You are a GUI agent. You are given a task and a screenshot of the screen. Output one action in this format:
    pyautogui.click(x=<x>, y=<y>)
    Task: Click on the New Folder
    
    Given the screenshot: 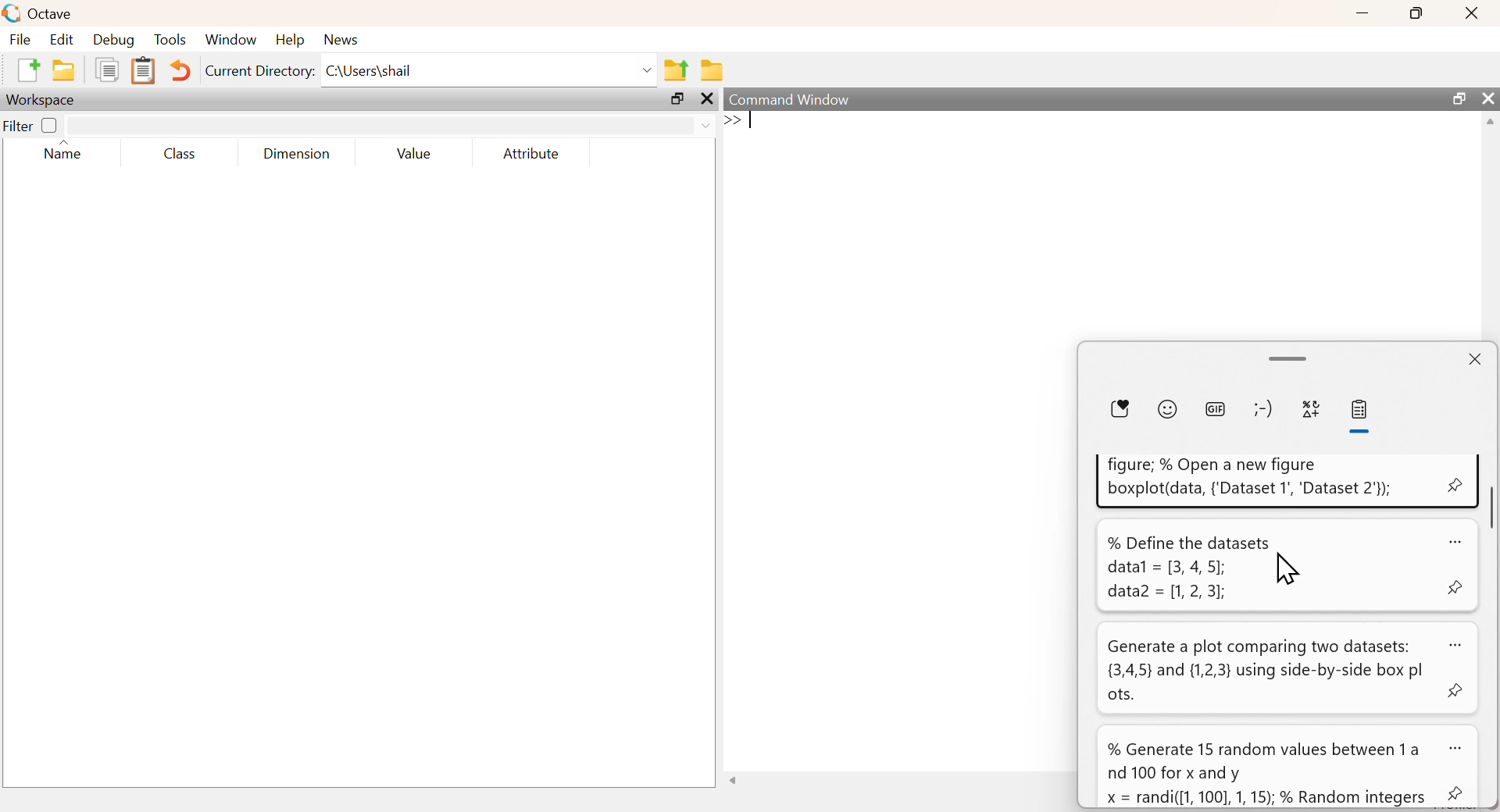 What is the action you would take?
    pyautogui.click(x=63, y=70)
    